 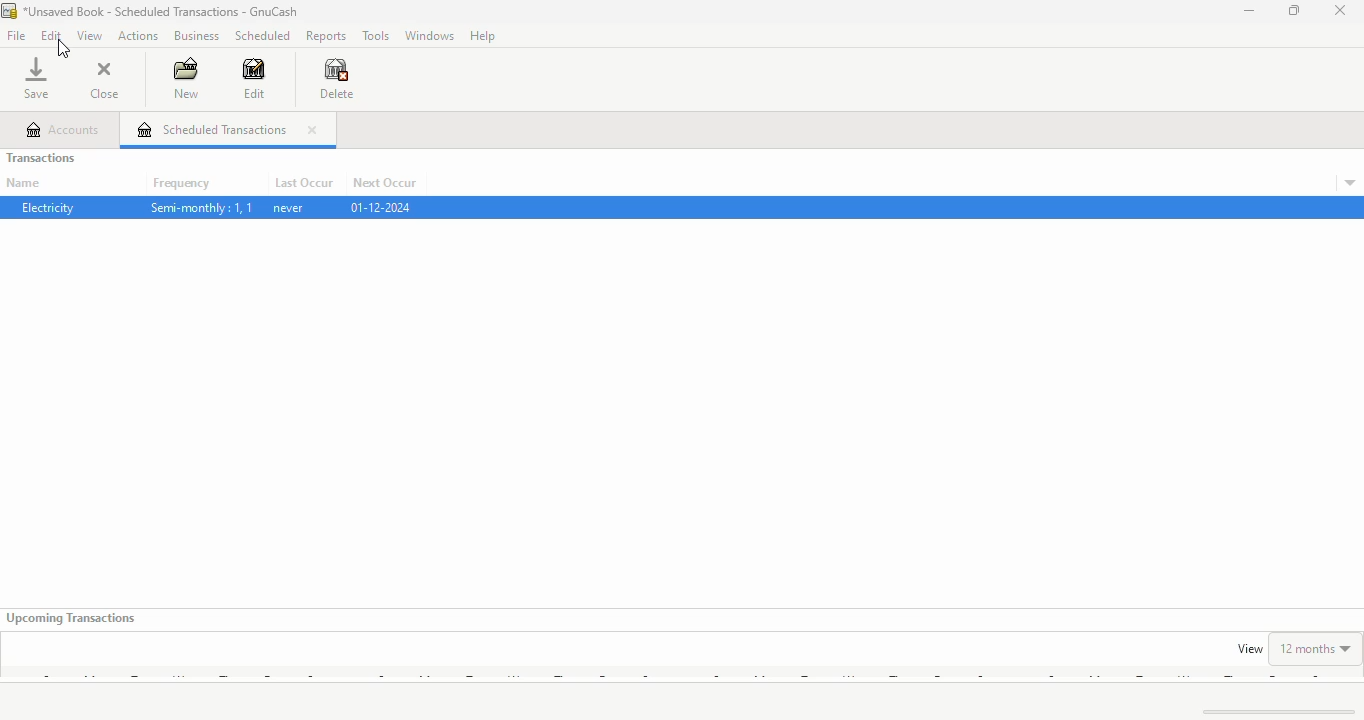 What do you see at coordinates (104, 79) in the screenshot?
I see `close` at bounding box center [104, 79].